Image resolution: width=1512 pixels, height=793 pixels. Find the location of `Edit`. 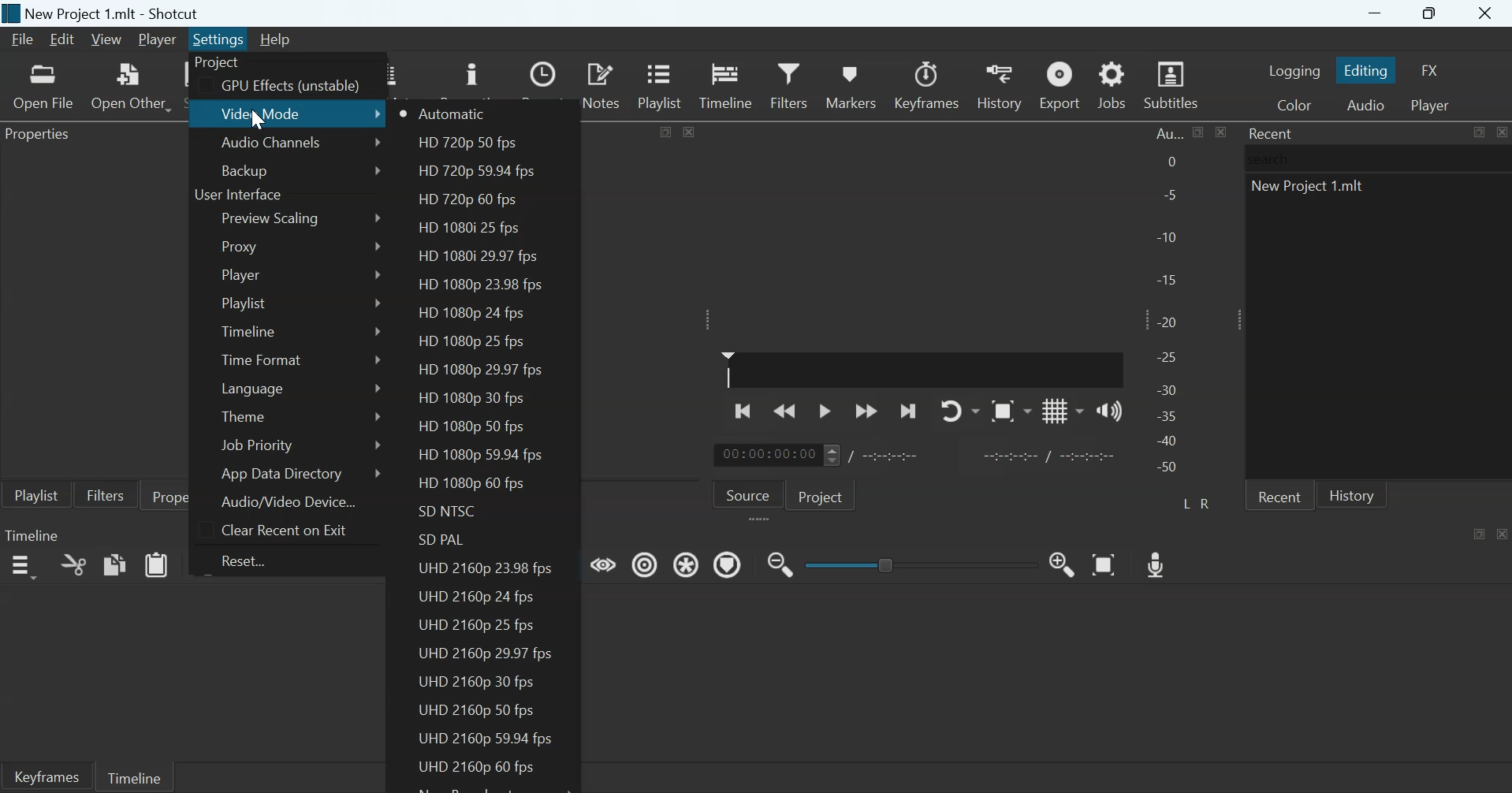

Edit is located at coordinates (61, 39).